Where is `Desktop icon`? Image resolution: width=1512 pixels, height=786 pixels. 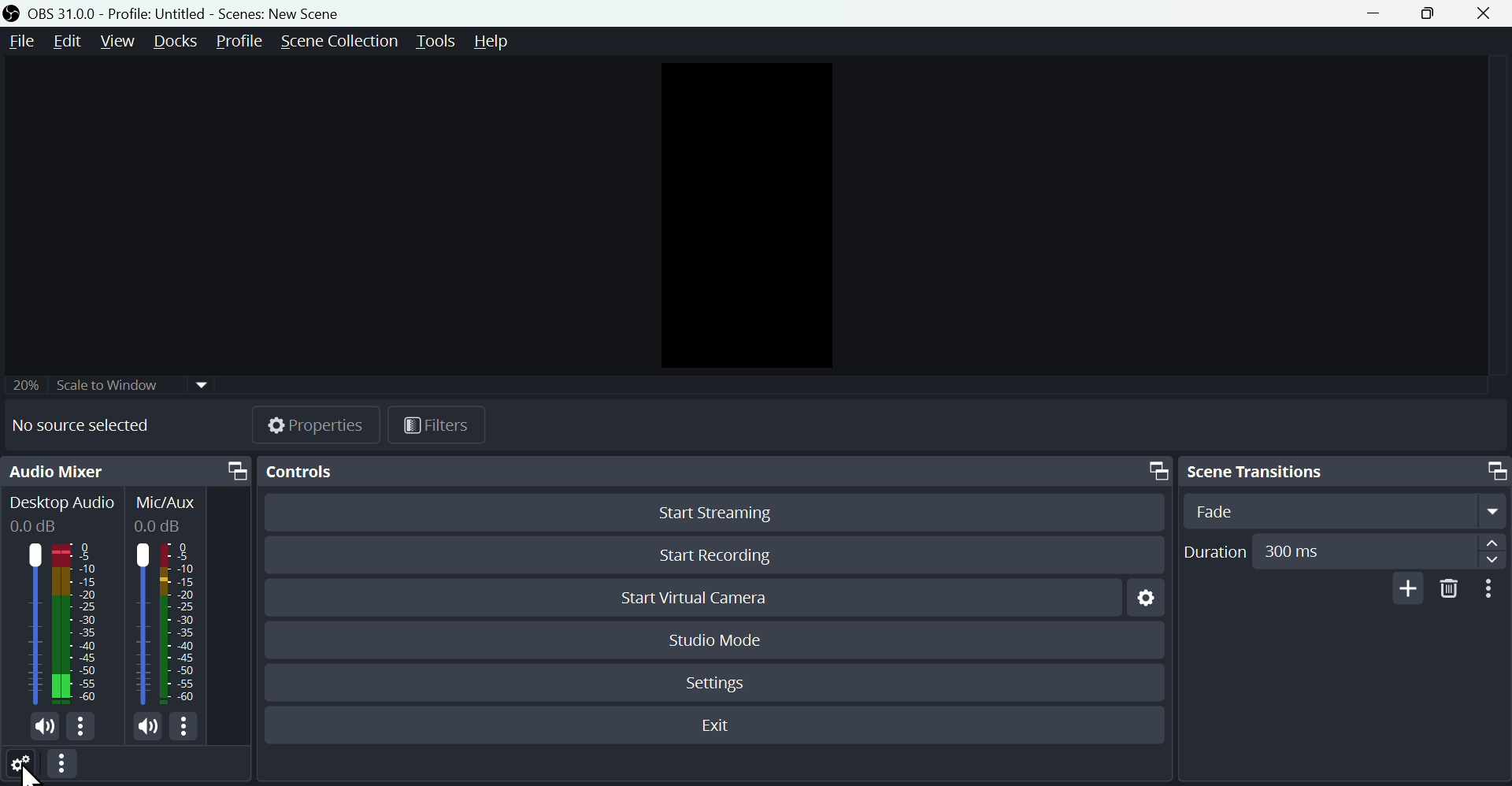
Desktop icon is located at coordinates (35, 625).